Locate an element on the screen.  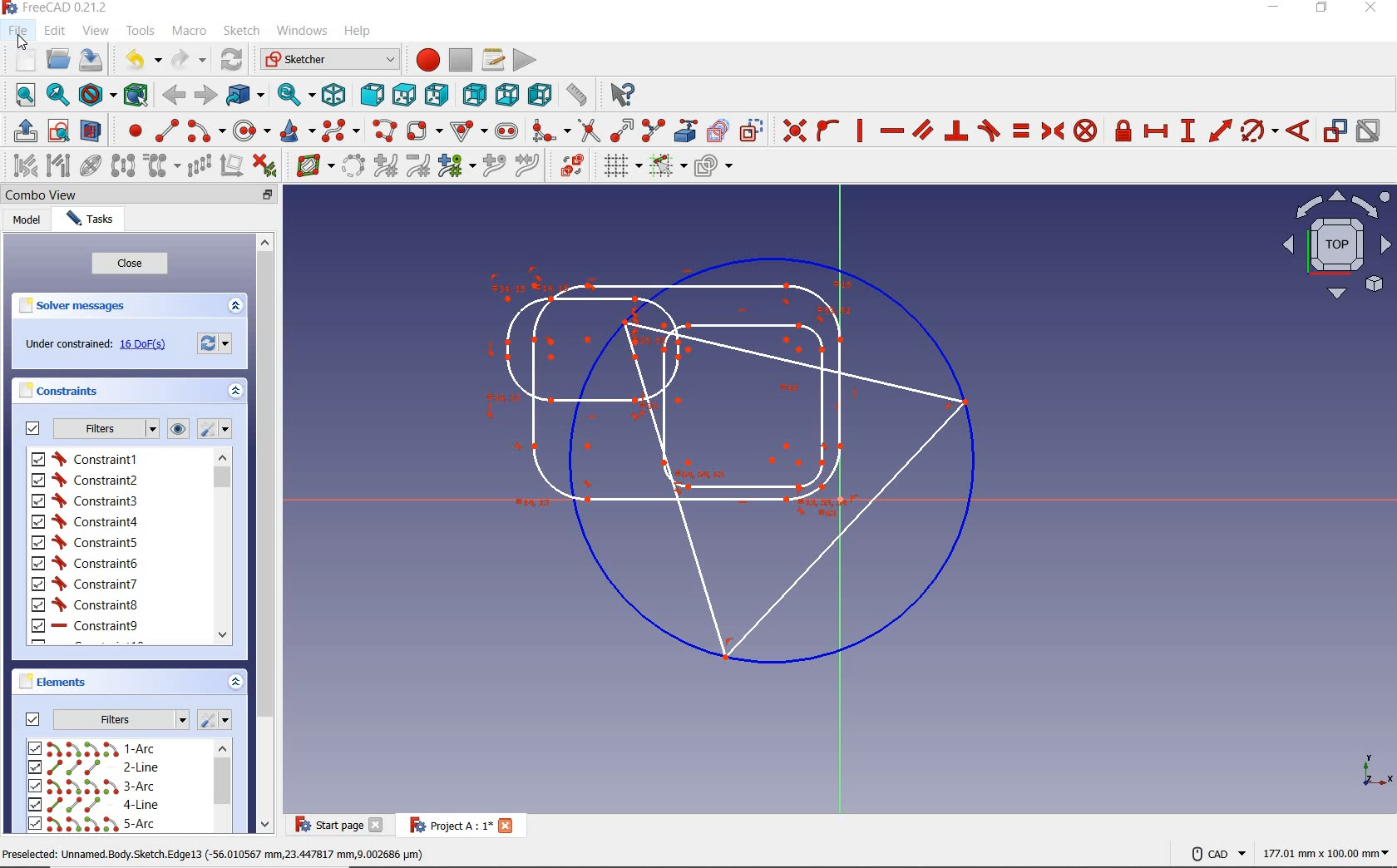
create slot is located at coordinates (506, 131).